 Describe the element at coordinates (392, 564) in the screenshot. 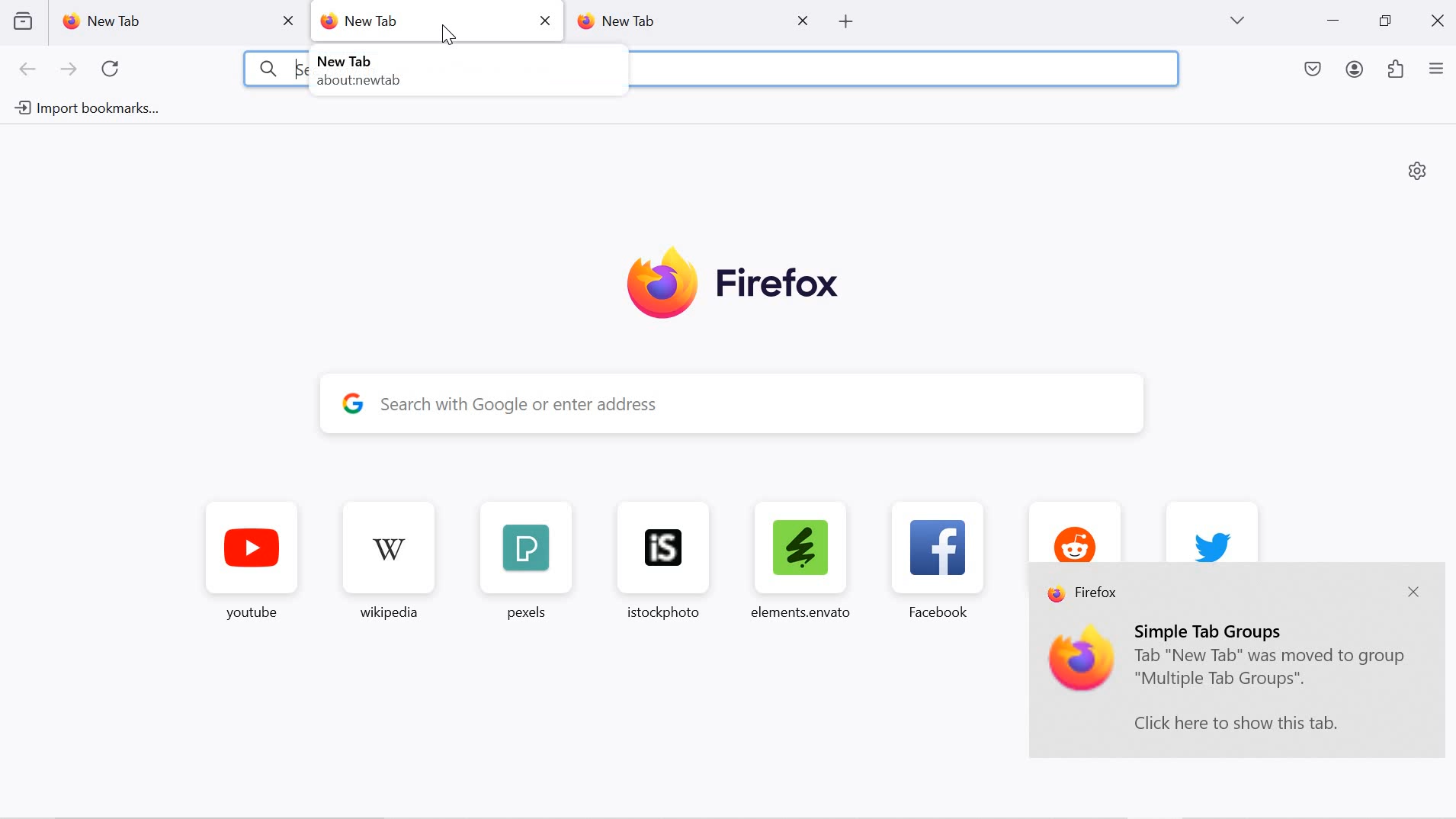

I see `wikipedia favorite` at that location.